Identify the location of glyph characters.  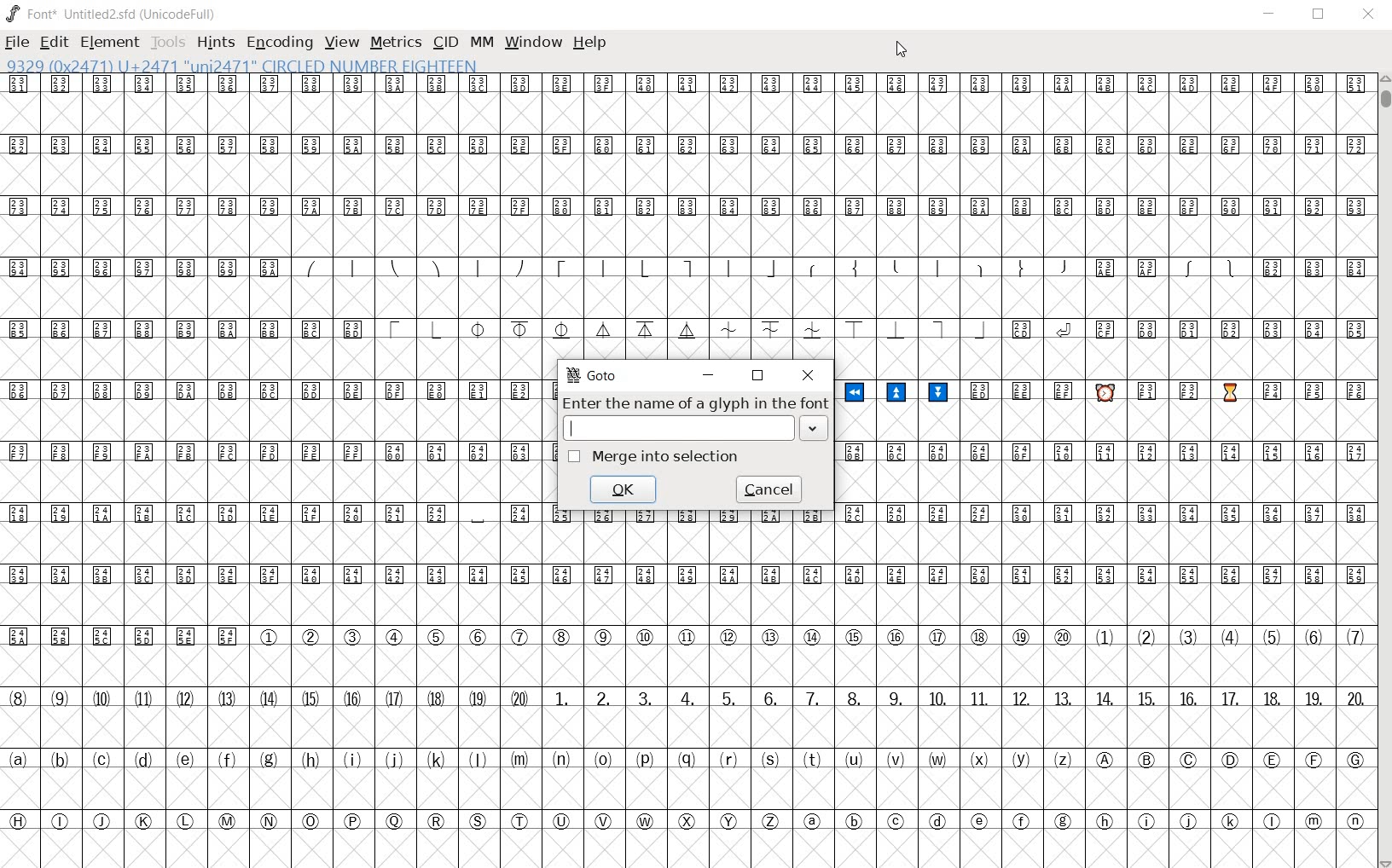
(1102, 440).